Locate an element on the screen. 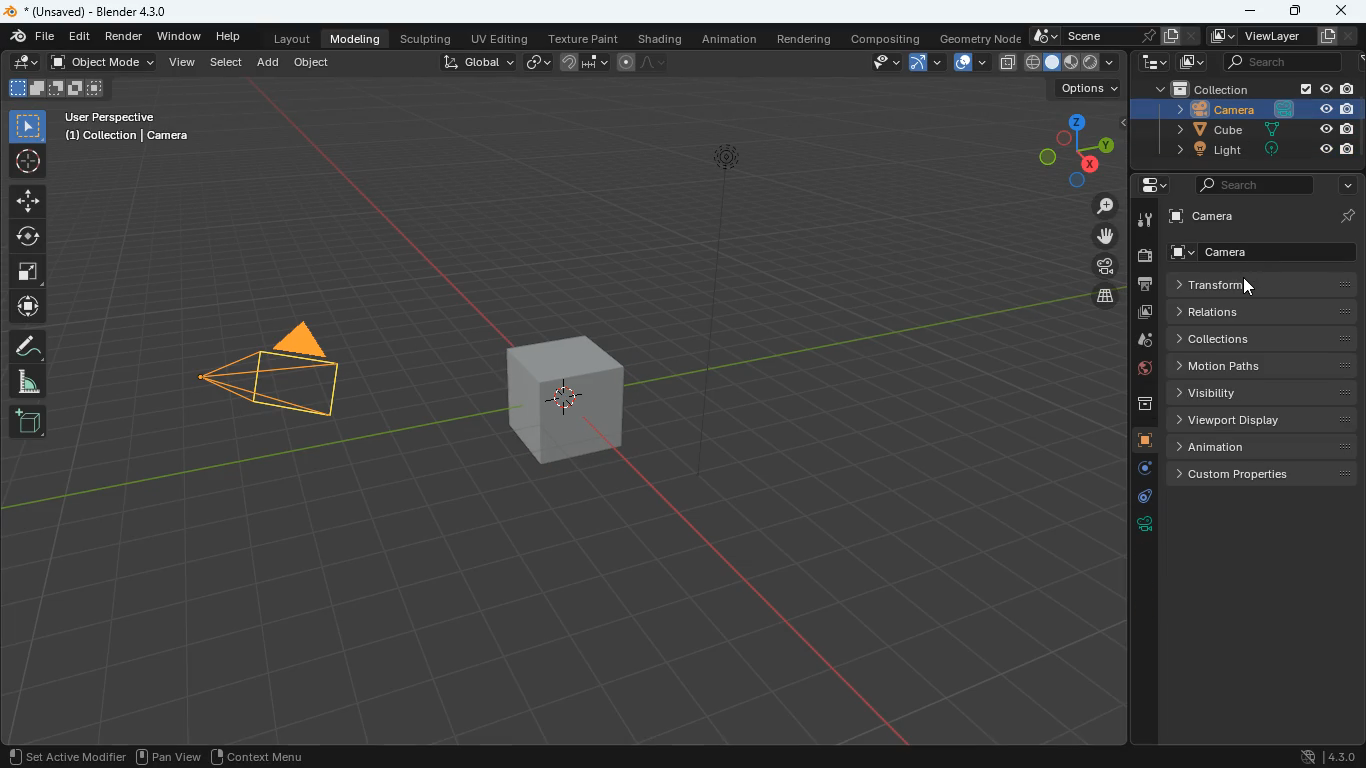 The image size is (1366, 768). camera is located at coordinates (1252, 218).